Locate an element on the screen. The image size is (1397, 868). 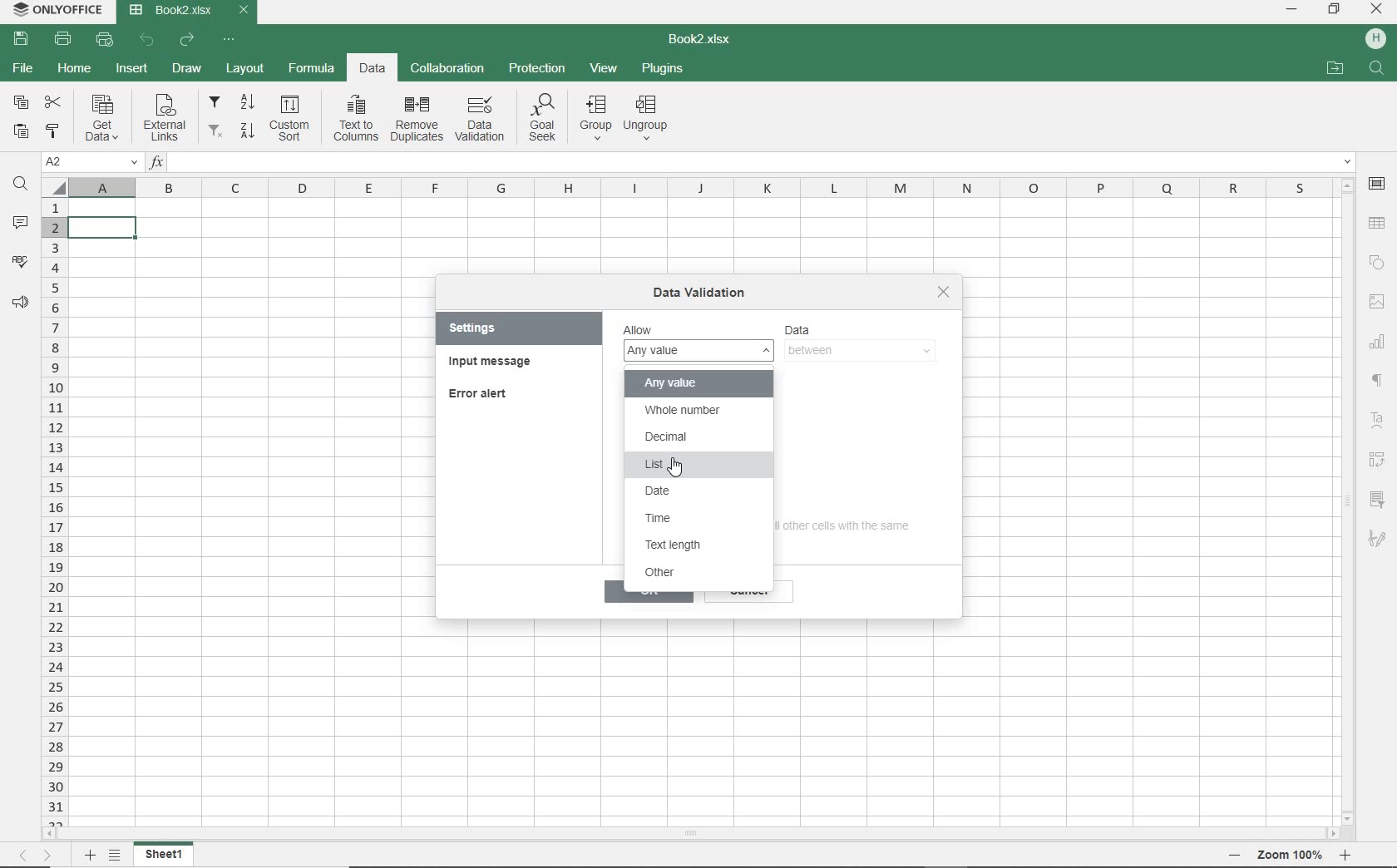
INSERT FUNCTION is located at coordinates (751, 160).